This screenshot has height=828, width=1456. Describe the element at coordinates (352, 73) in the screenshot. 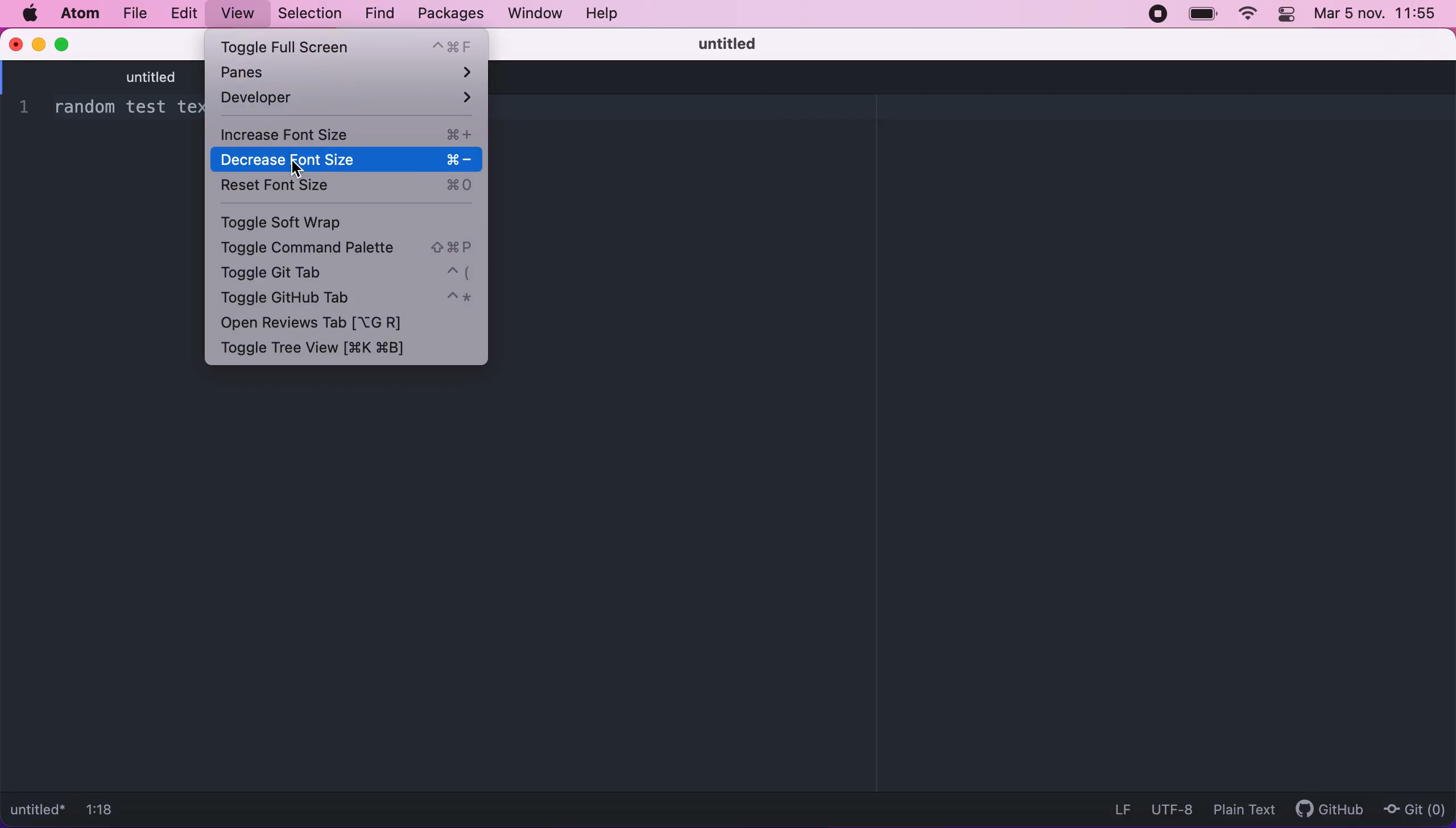

I see `panes` at that location.